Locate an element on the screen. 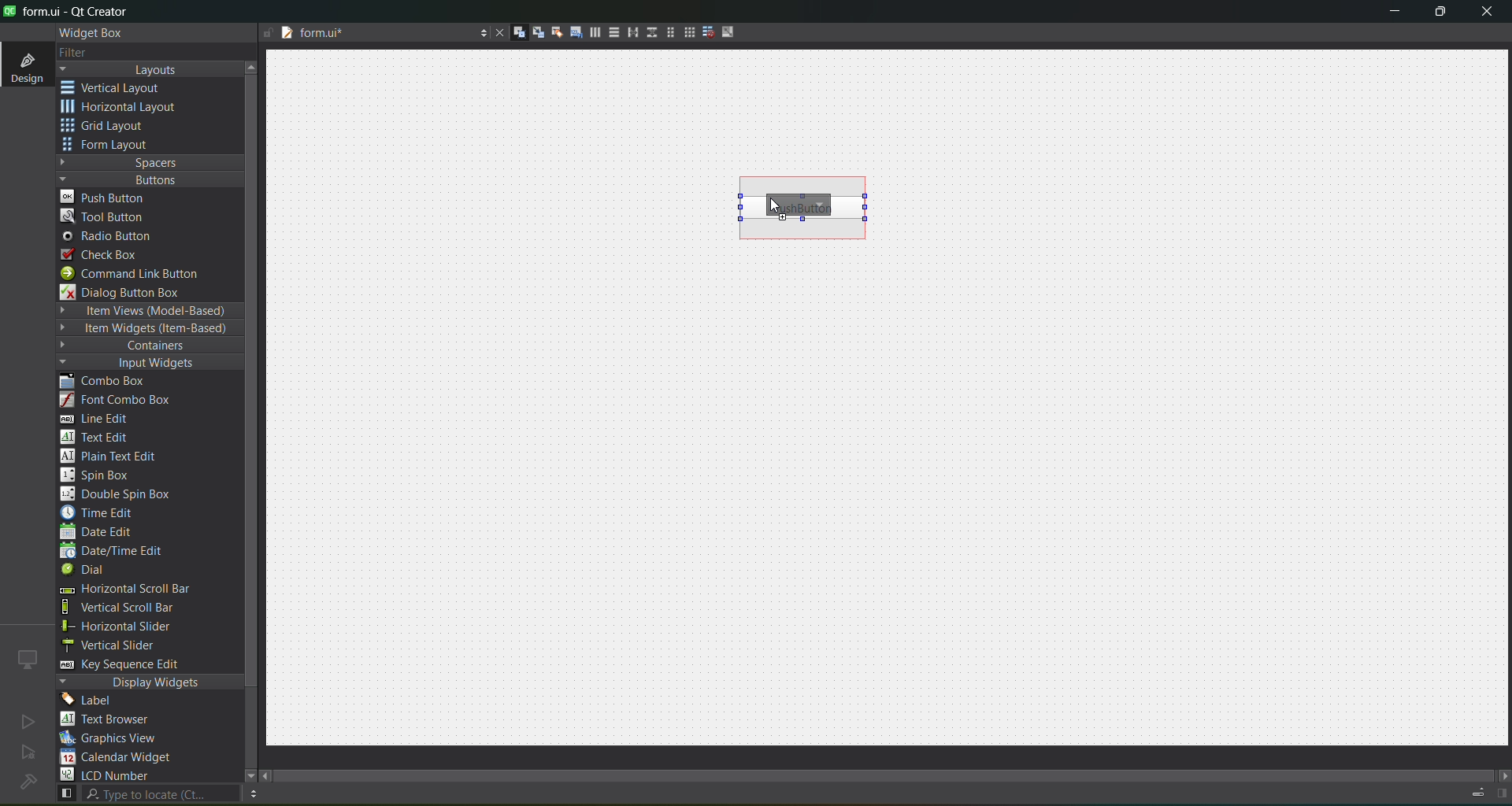  buttons is located at coordinates (146, 179).